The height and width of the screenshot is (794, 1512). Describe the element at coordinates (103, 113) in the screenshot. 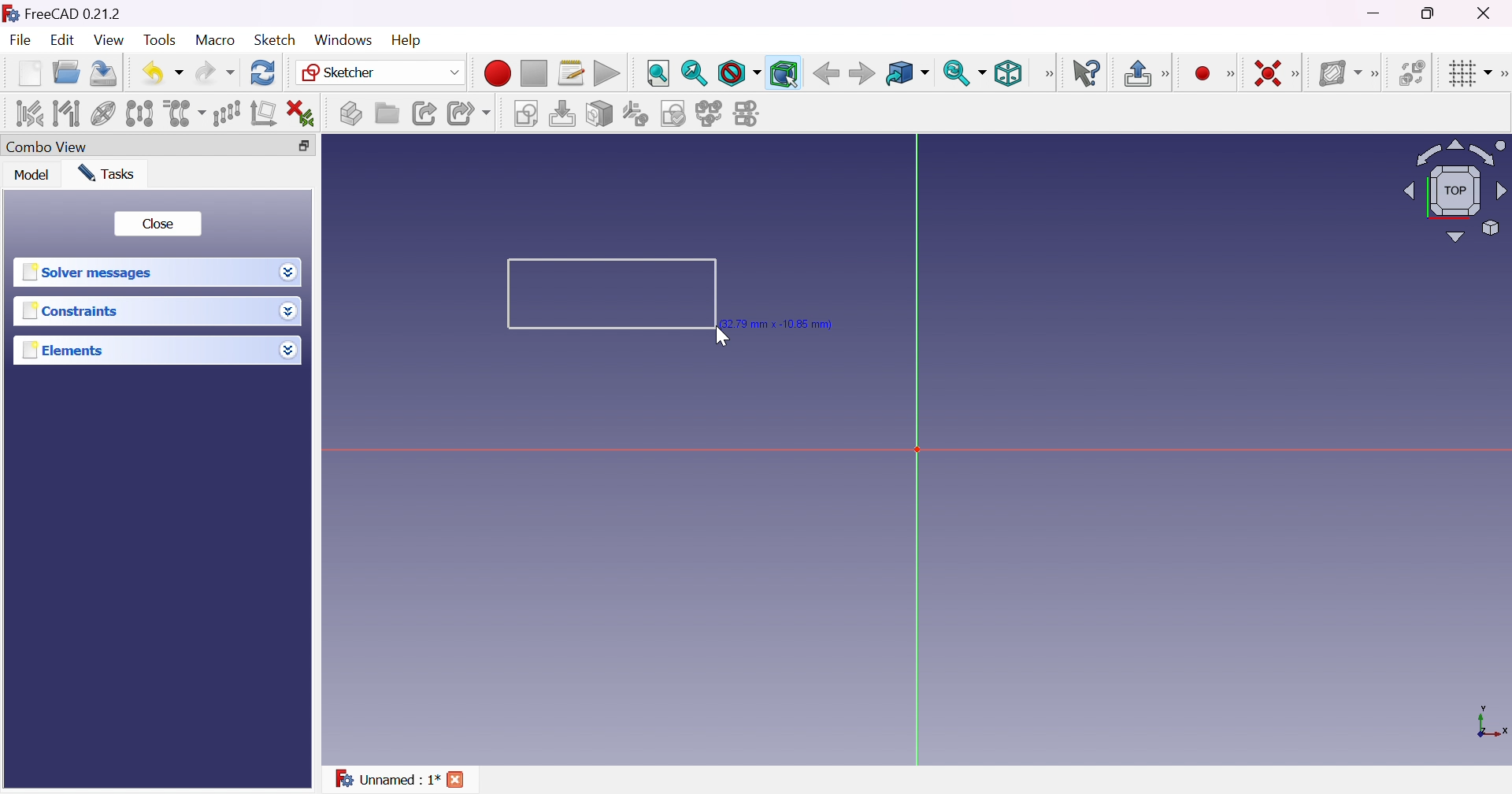

I see `Show/hide internal geometry` at that location.